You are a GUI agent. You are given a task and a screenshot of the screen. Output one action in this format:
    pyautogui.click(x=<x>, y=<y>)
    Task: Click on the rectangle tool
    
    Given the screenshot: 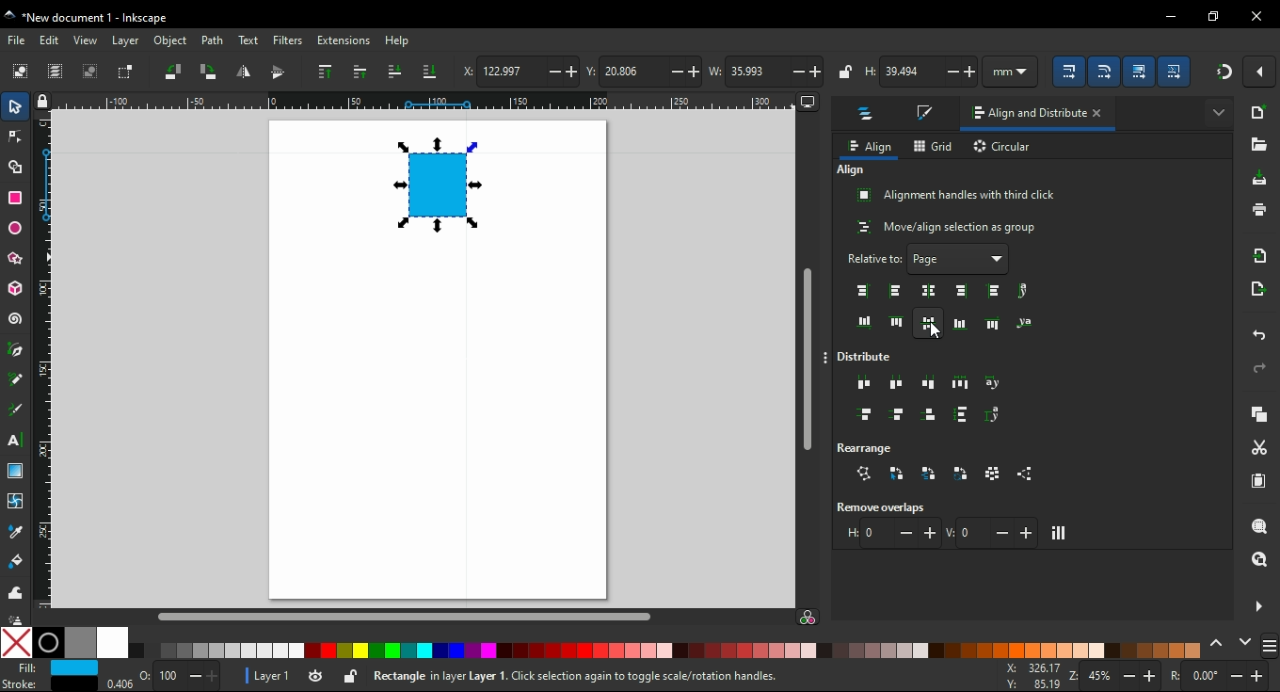 What is the action you would take?
    pyautogui.click(x=15, y=196)
    